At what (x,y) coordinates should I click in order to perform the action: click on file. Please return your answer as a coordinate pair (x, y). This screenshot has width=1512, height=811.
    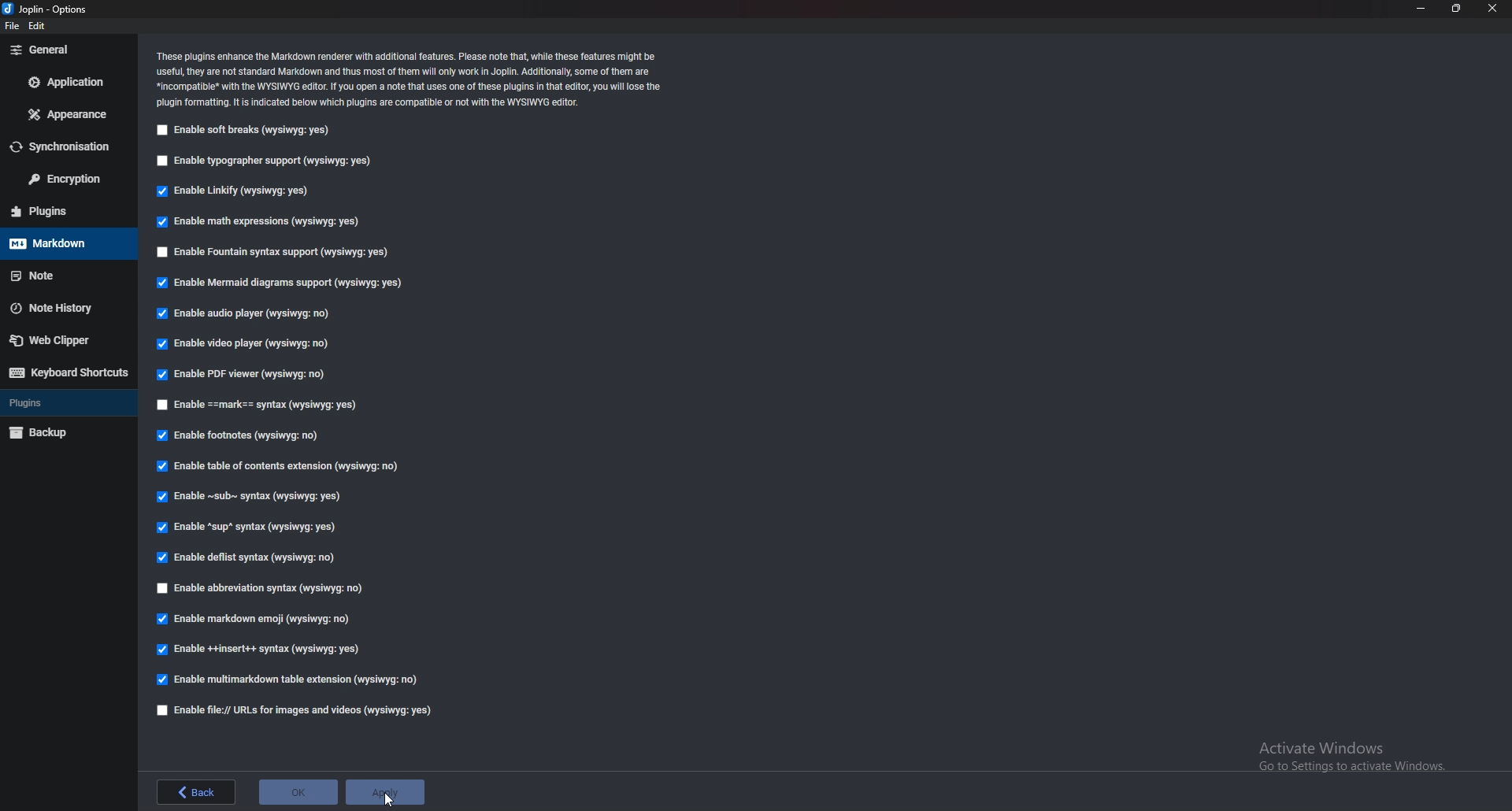
    Looking at the image, I should click on (11, 25).